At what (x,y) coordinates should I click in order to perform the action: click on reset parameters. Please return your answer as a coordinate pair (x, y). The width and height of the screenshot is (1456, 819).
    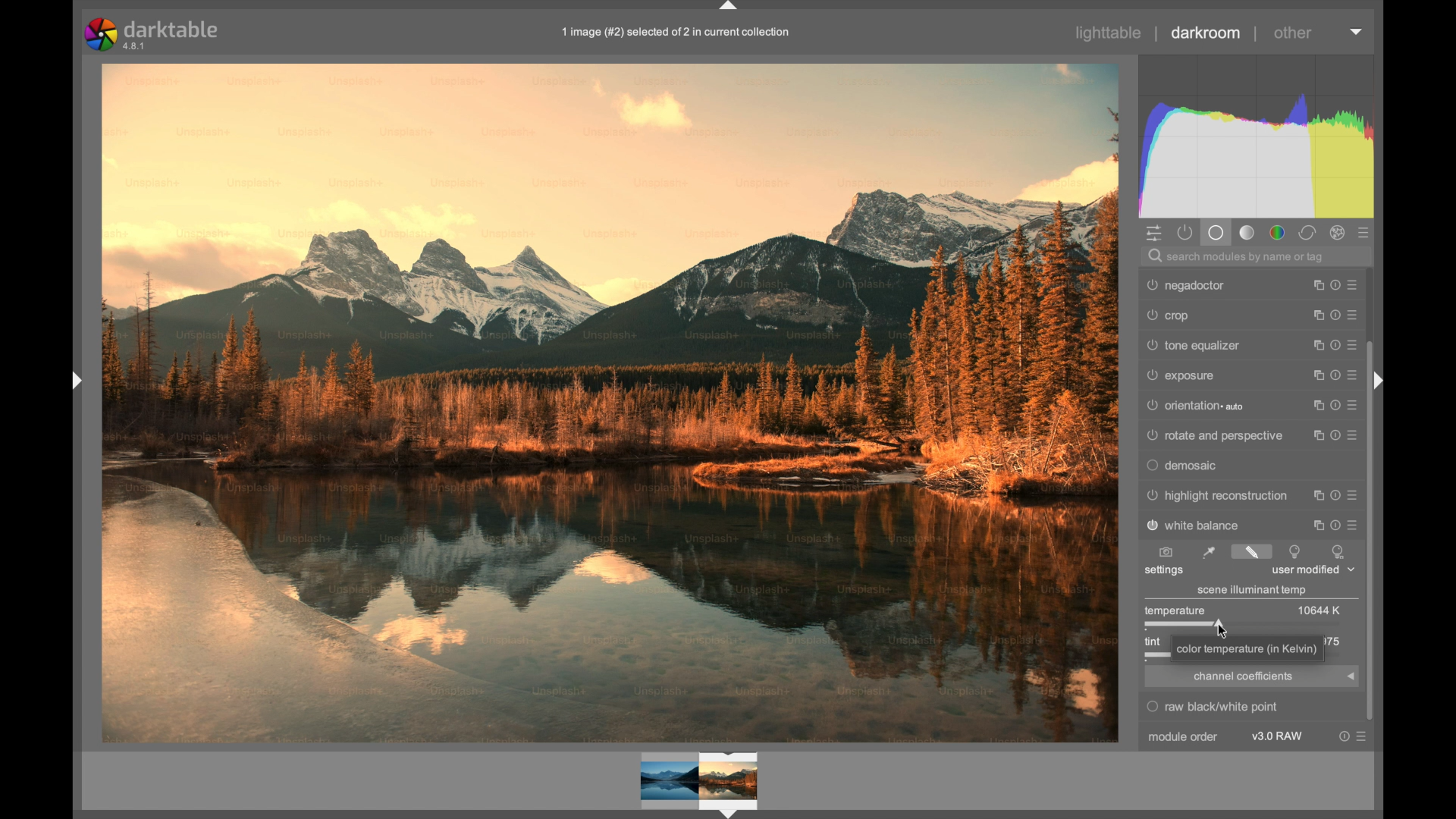
    Looking at the image, I should click on (1334, 312).